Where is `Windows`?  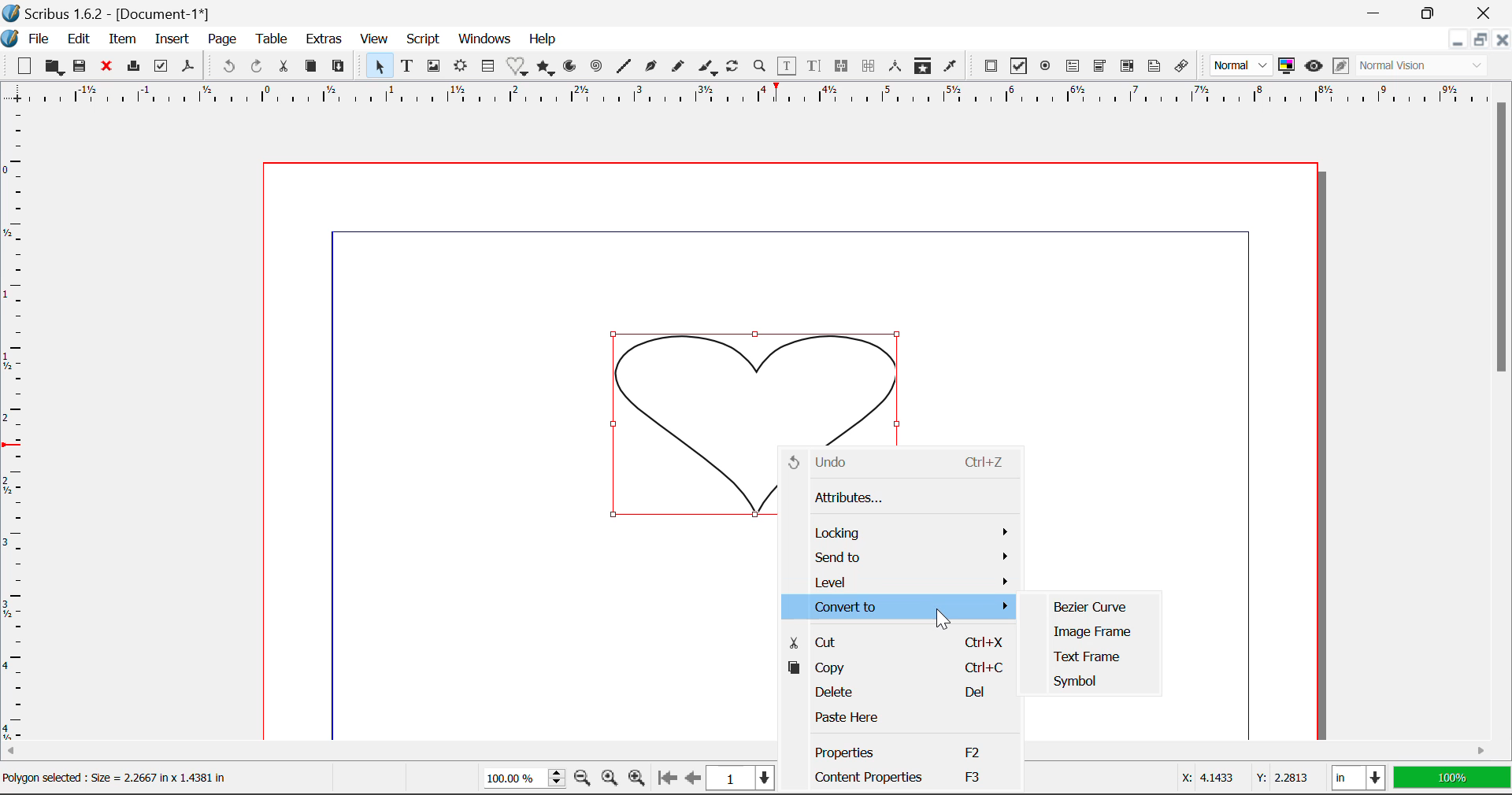
Windows is located at coordinates (485, 39).